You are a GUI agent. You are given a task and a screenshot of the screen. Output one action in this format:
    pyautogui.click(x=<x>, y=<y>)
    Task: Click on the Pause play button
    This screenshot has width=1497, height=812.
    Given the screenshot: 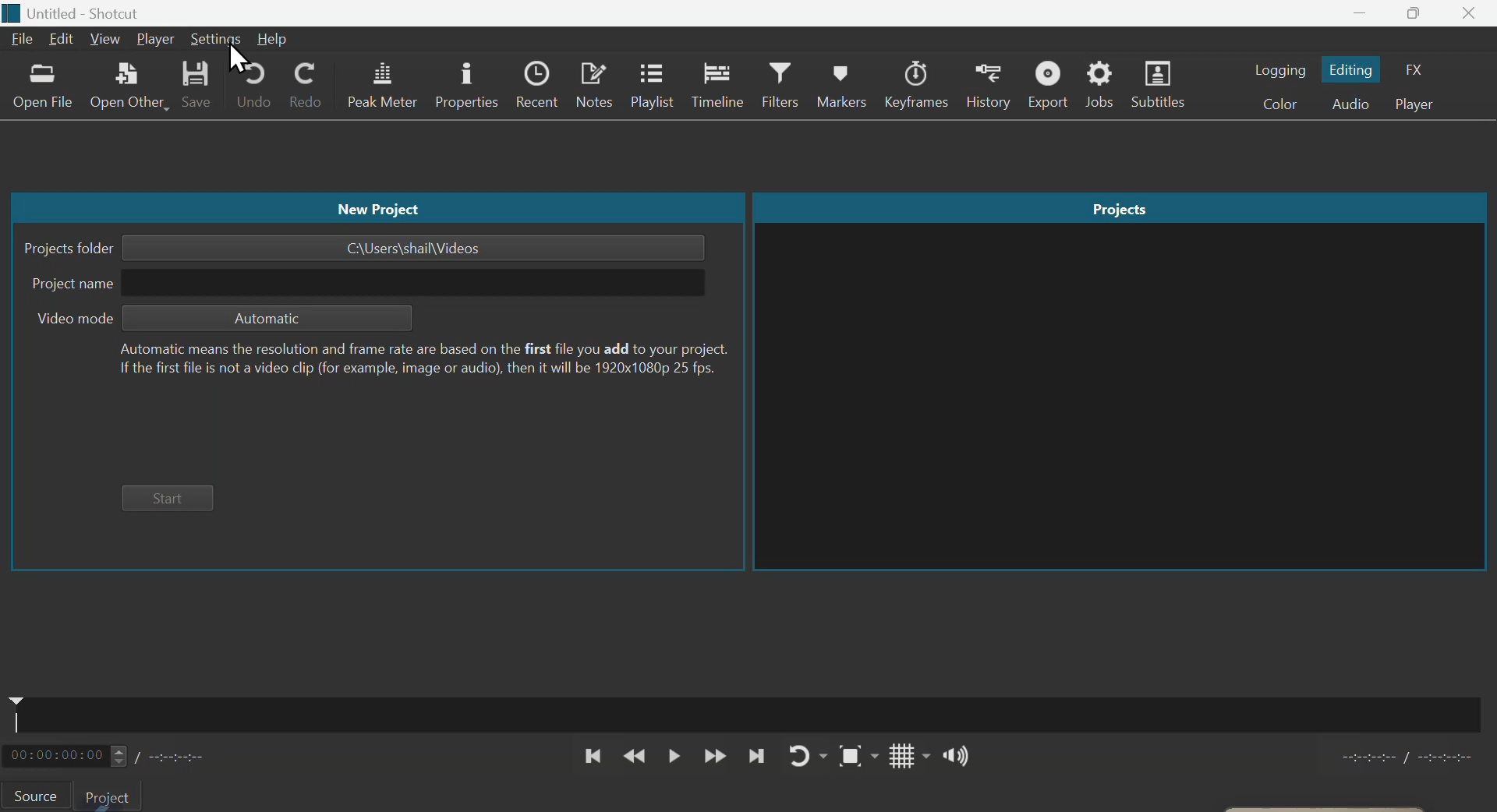 What is the action you would take?
    pyautogui.click(x=675, y=757)
    